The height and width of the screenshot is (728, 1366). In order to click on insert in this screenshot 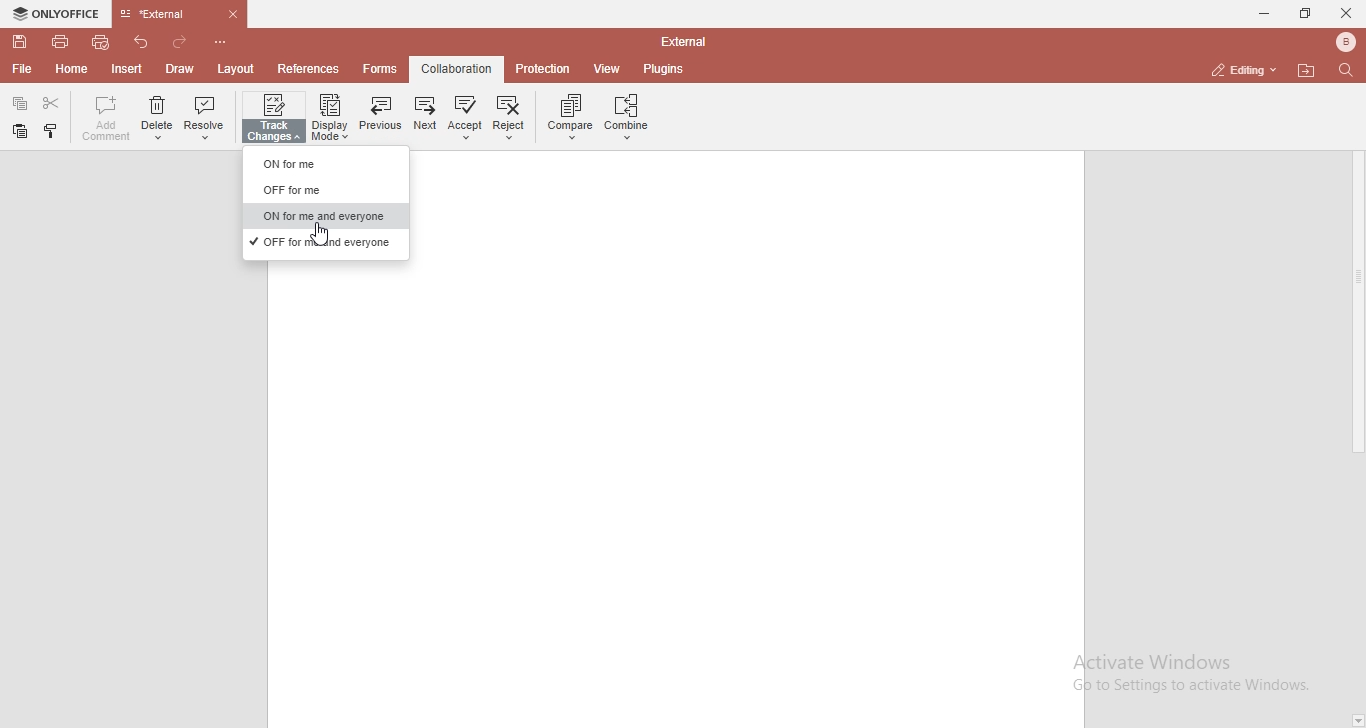, I will do `click(129, 69)`.